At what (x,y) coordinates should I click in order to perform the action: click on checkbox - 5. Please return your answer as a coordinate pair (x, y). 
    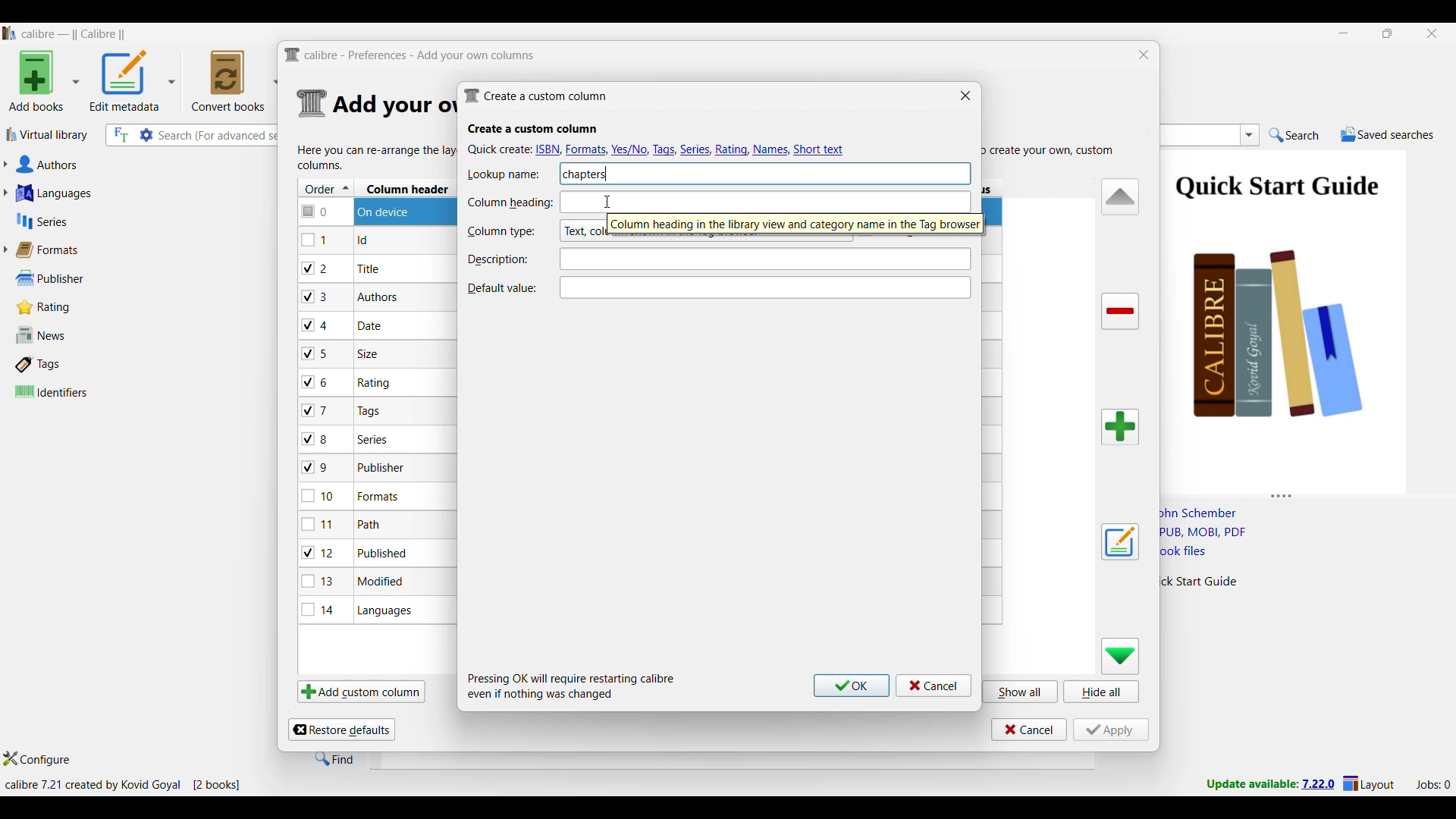
    Looking at the image, I should click on (321, 353).